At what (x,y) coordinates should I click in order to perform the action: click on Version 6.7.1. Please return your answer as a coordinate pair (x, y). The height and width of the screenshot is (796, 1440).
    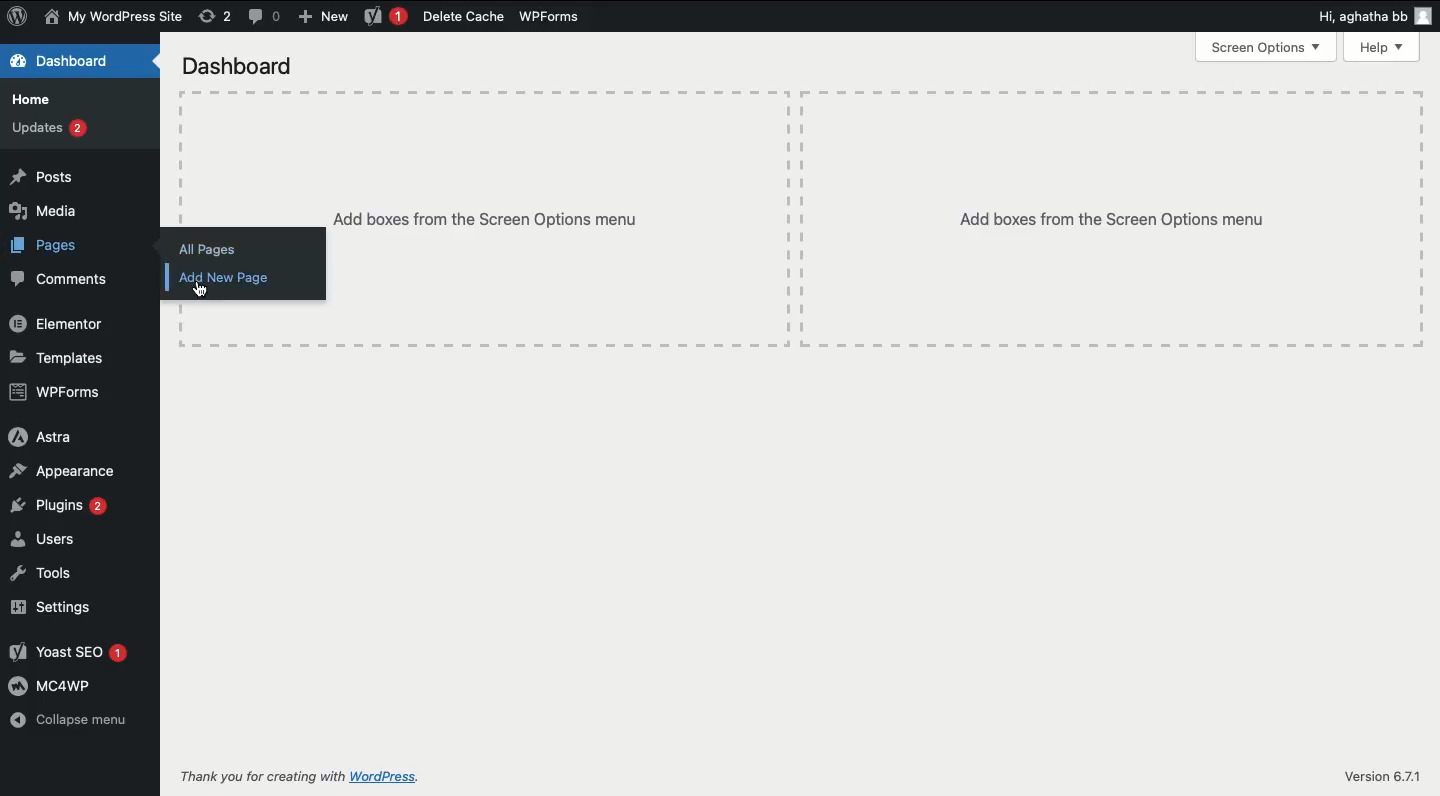
    Looking at the image, I should click on (1381, 771).